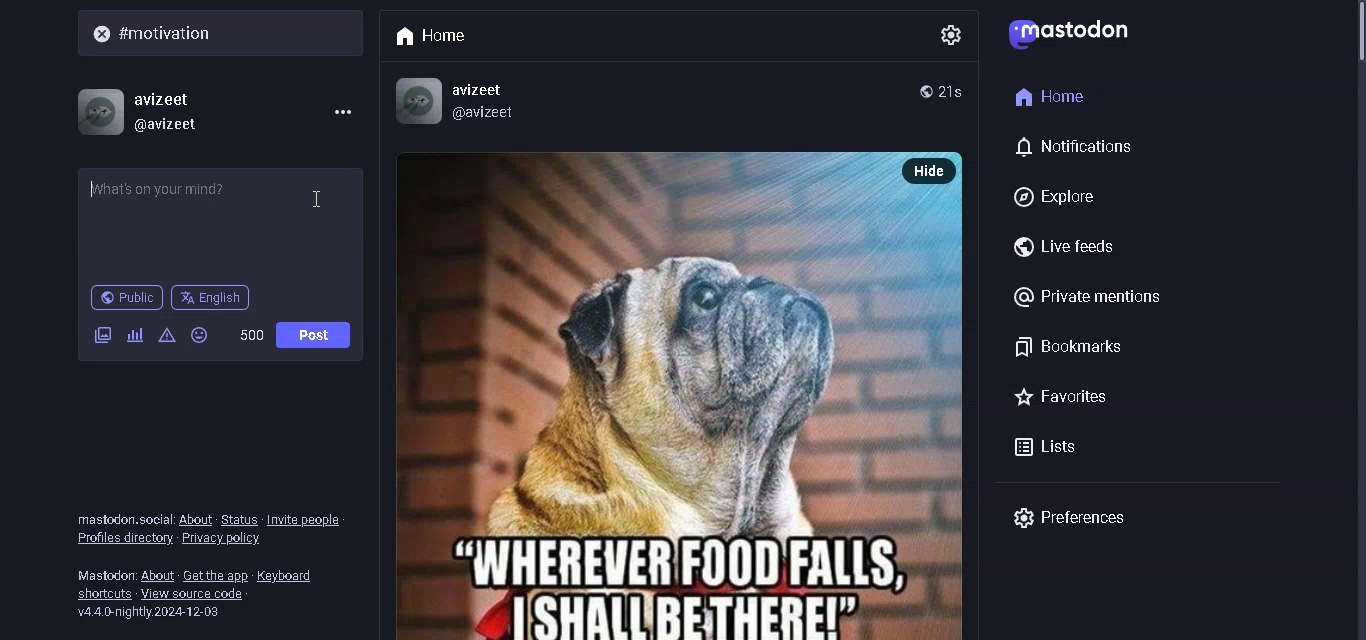 This screenshot has width=1366, height=640. I want to click on menu, so click(338, 111).